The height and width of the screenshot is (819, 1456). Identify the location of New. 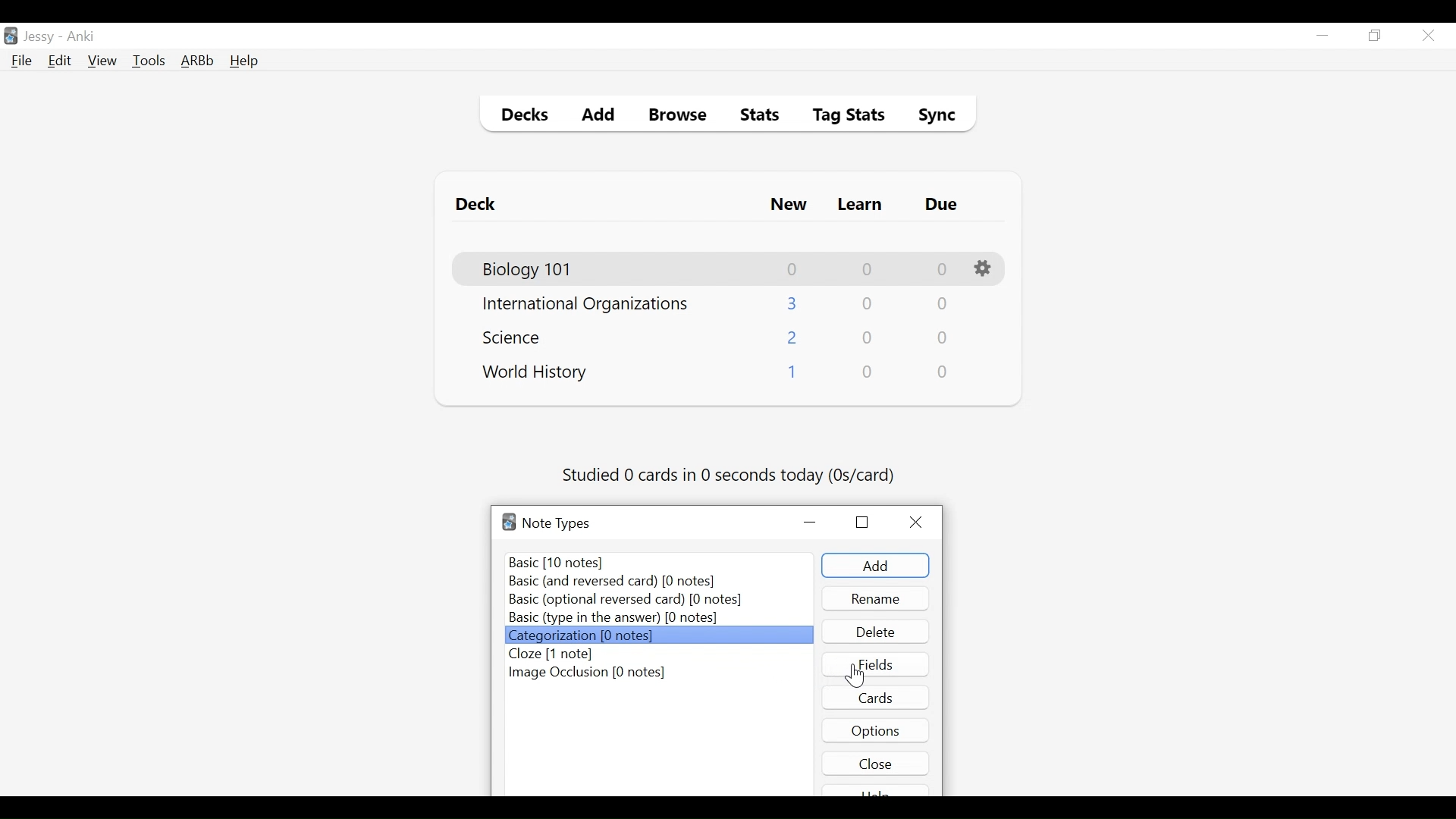
(789, 206).